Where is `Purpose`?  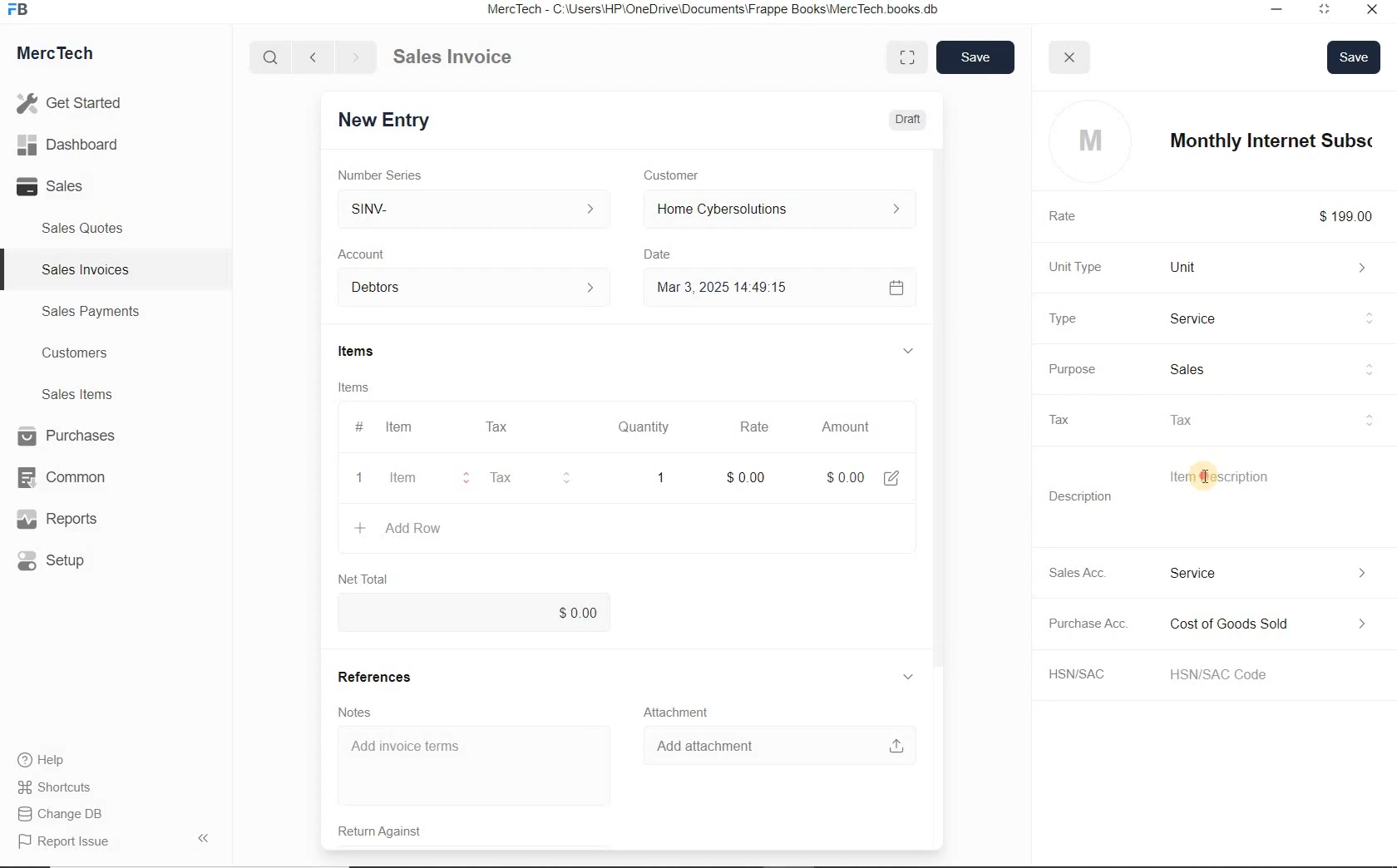
Purpose is located at coordinates (1067, 369).